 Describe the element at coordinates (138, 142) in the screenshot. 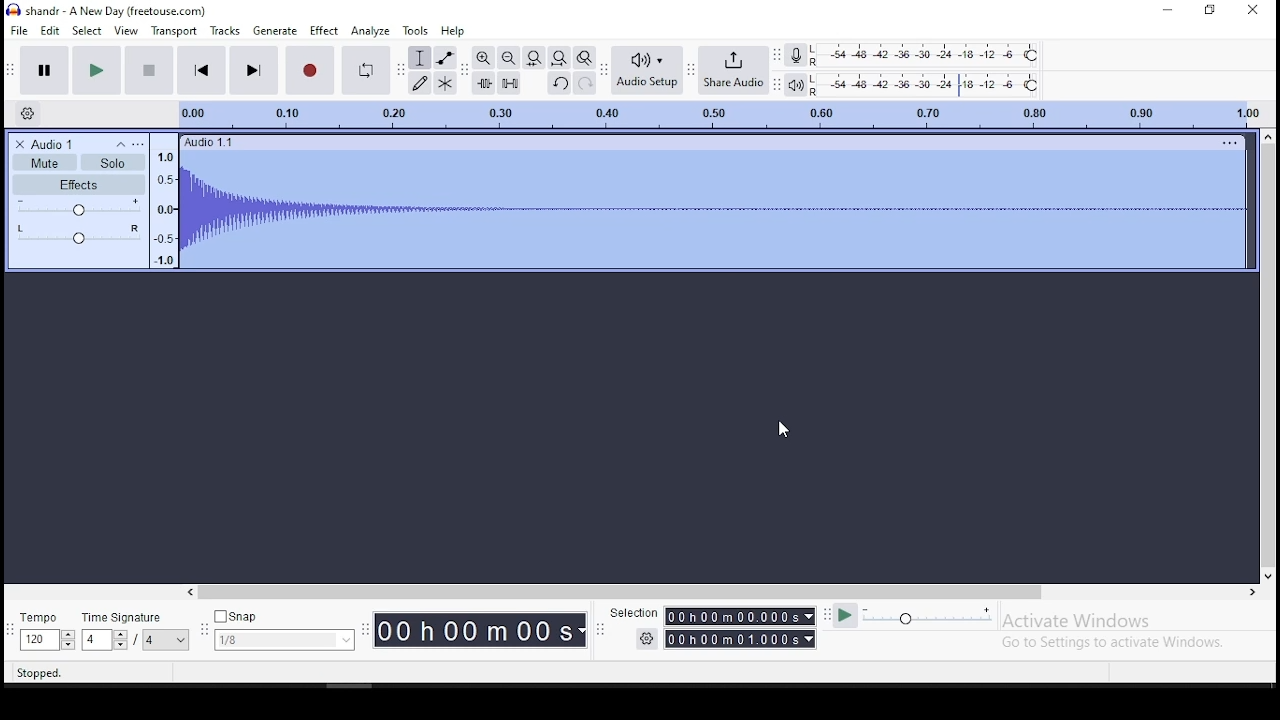

I see `open menu` at that location.